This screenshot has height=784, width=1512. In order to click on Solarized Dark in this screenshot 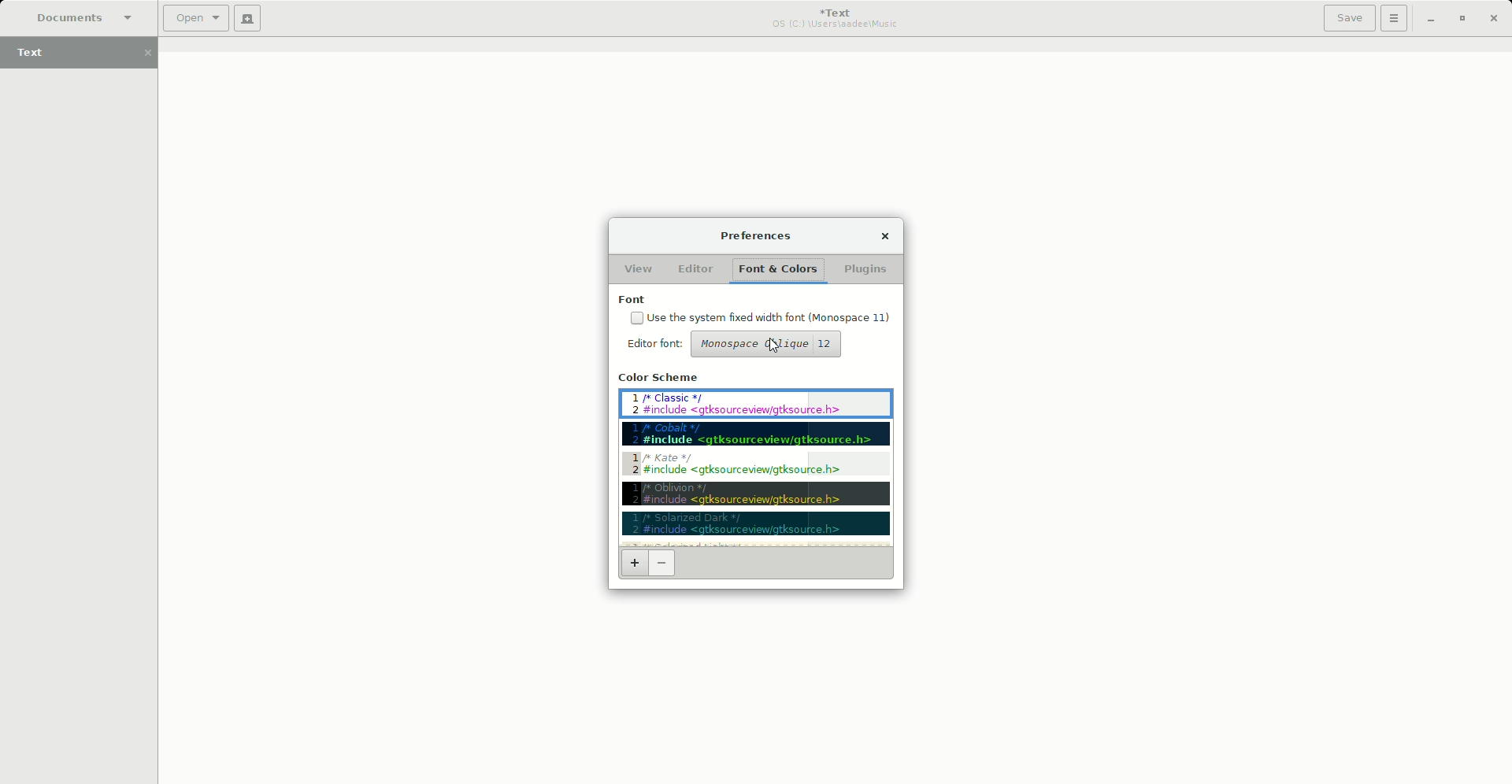, I will do `click(756, 525)`.